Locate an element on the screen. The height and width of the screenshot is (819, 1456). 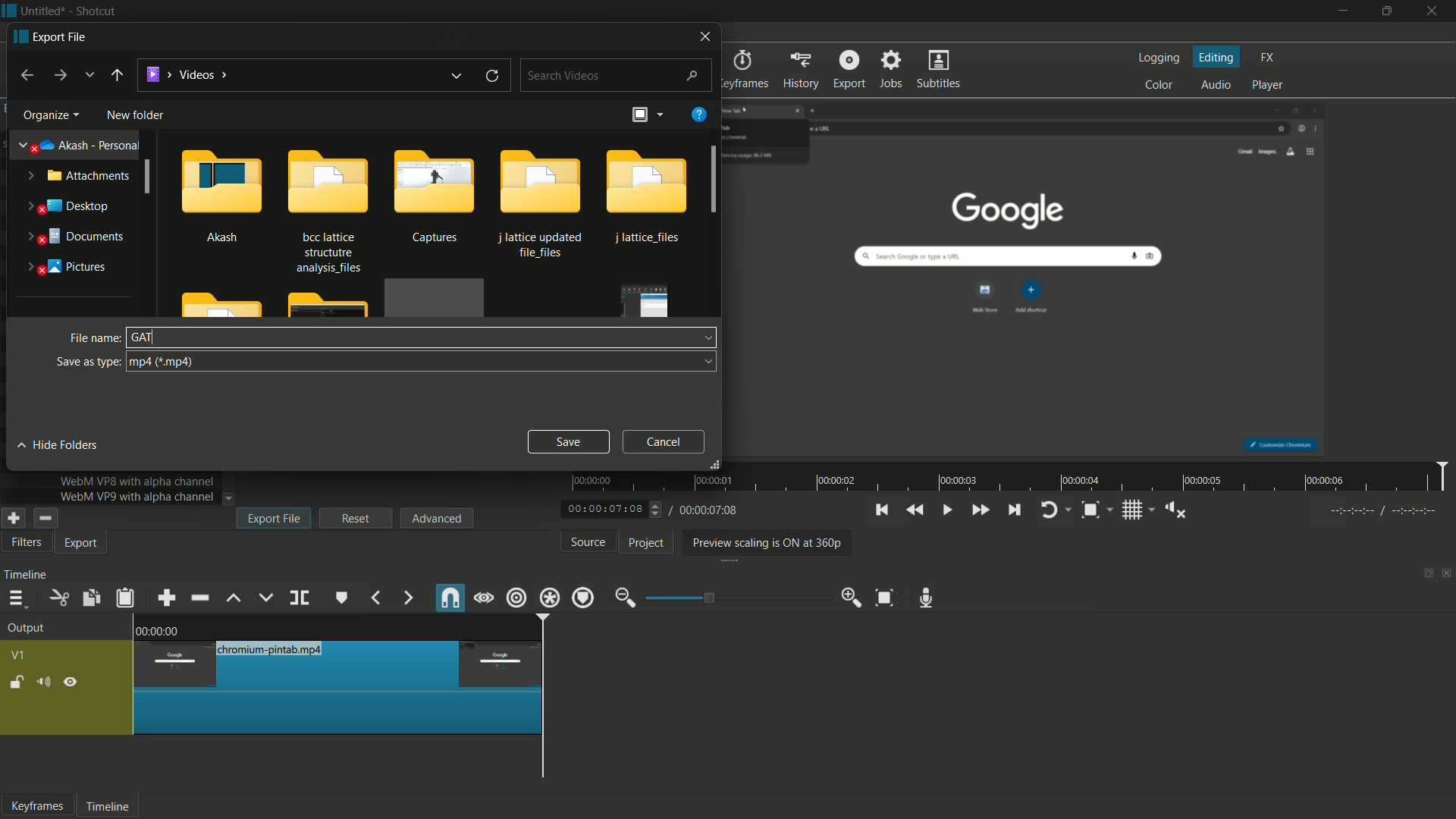
get help is located at coordinates (700, 113).